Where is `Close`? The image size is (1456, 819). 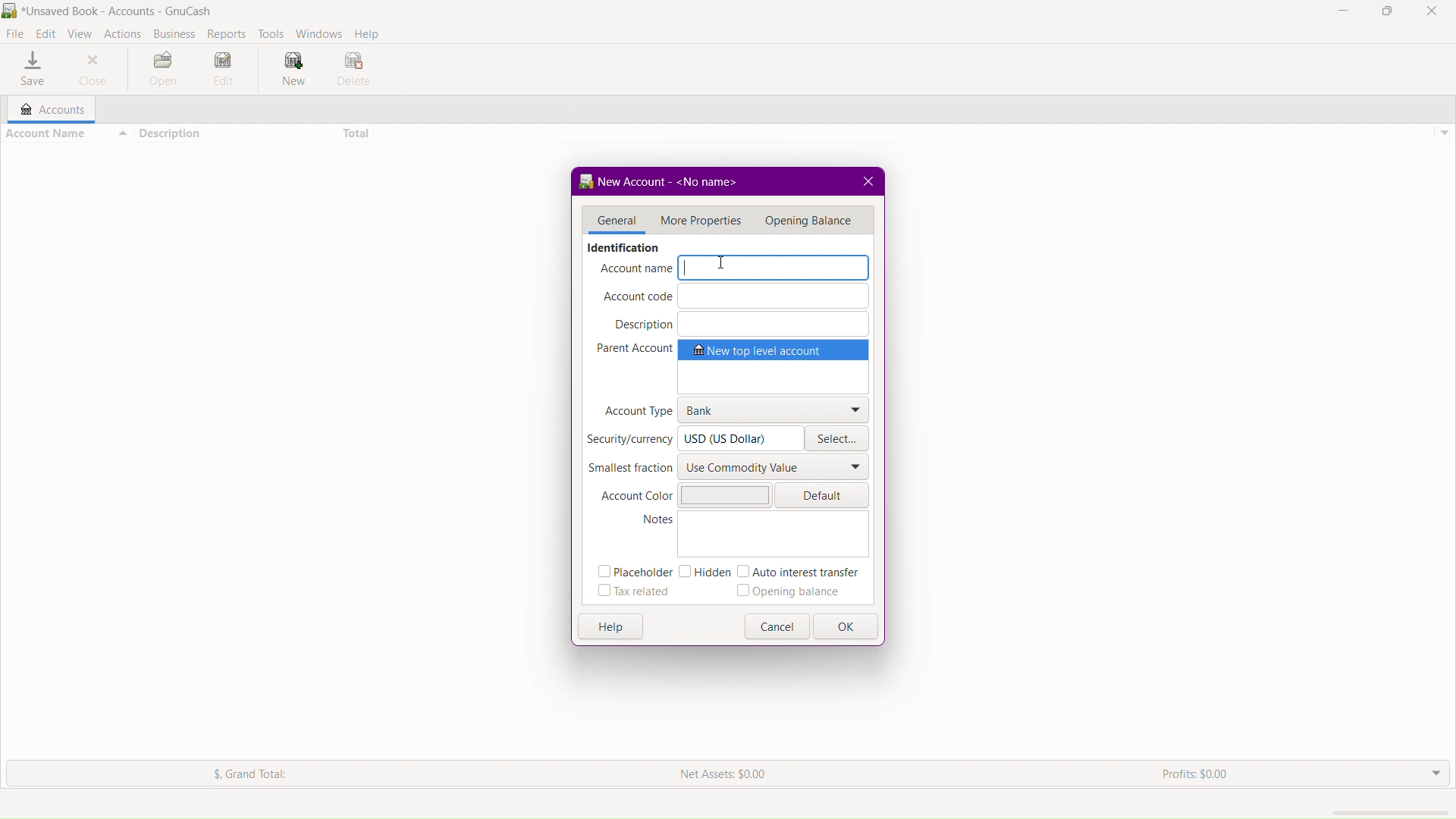 Close is located at coordinates (99, 71).